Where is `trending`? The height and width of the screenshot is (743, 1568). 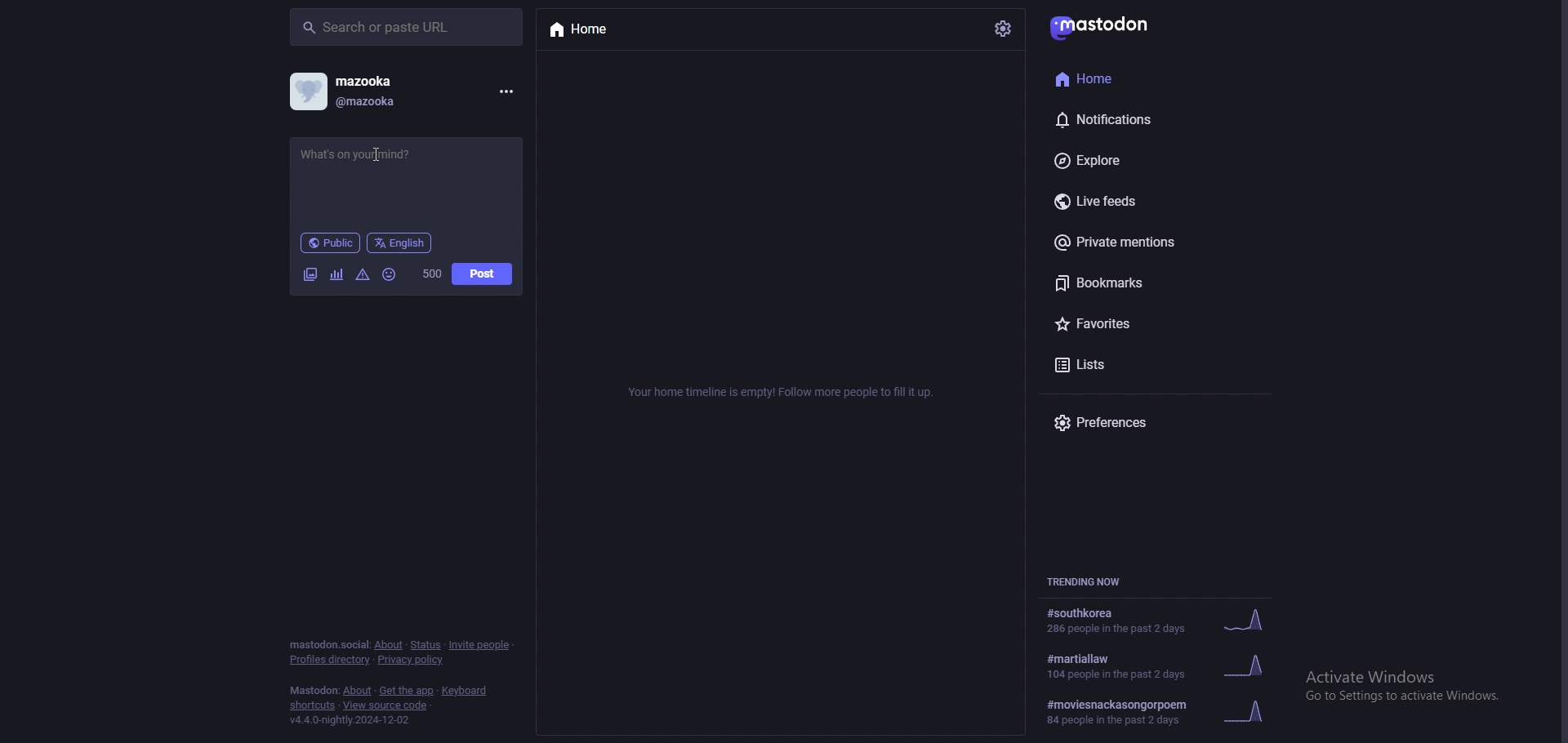
trending is located at coordinates (1160, 712).